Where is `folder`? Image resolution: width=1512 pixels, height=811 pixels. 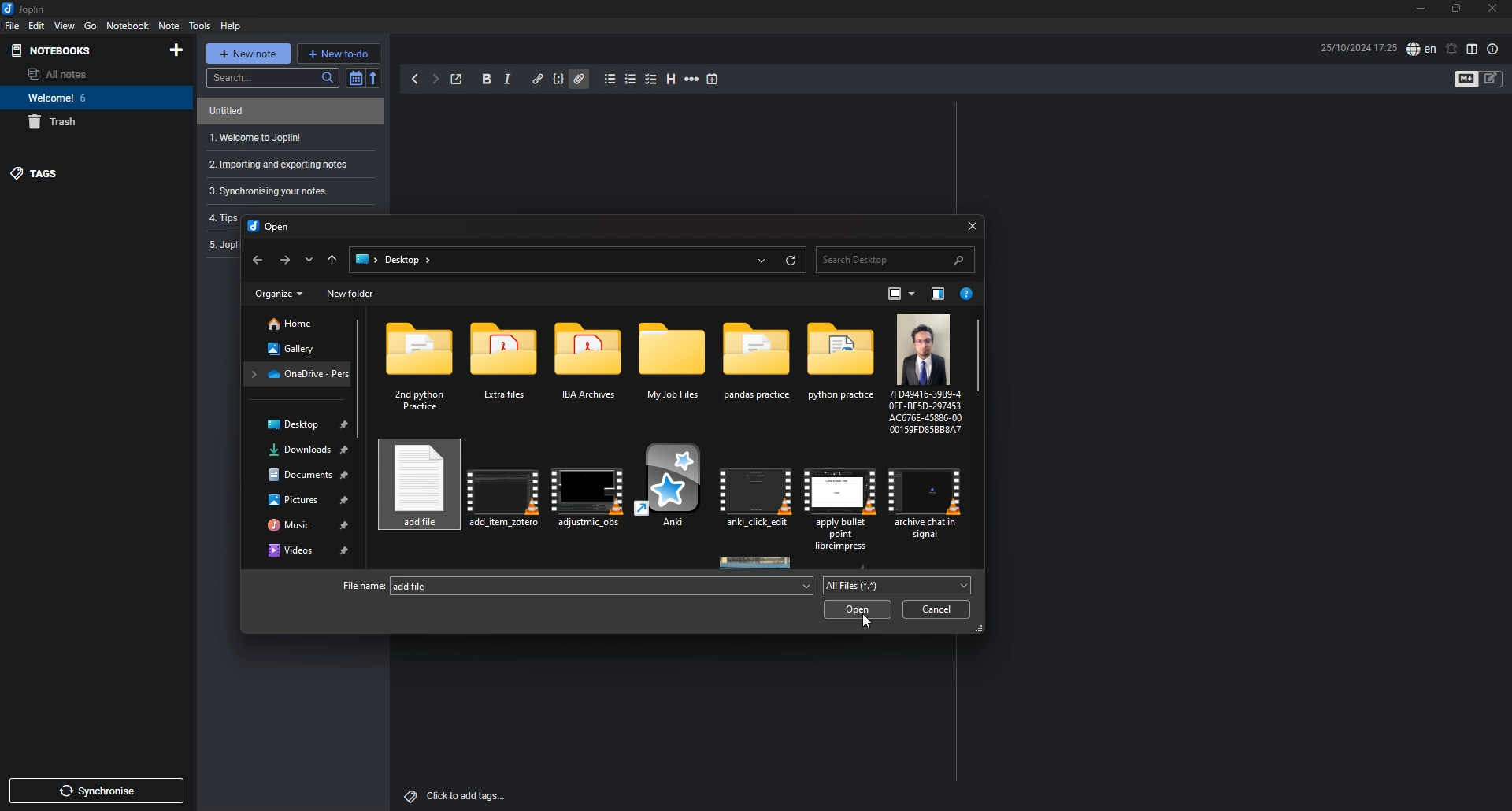 folder is located at coordinates (839, 369).